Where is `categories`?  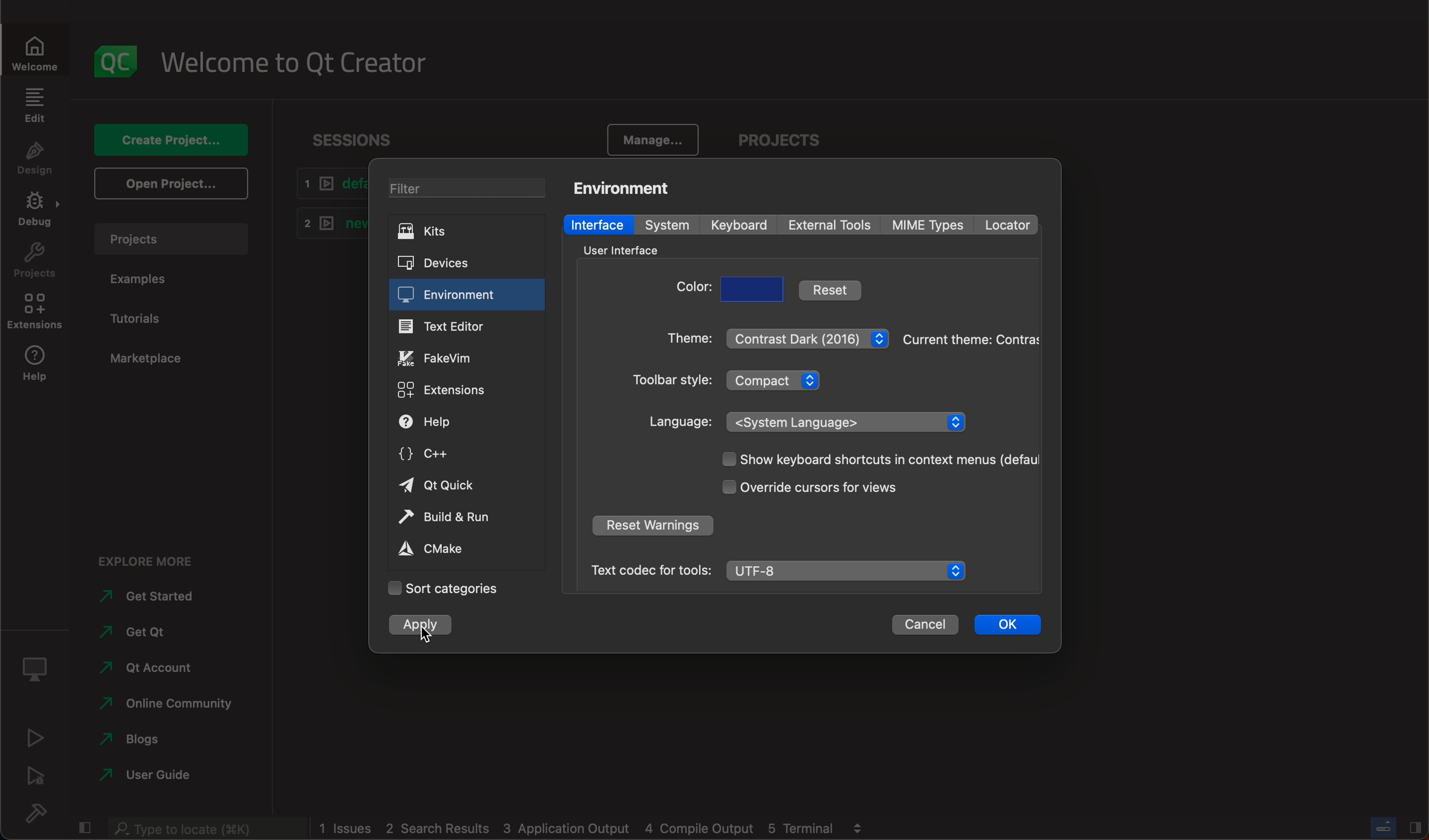
categories is located at coordinates (443, 589).